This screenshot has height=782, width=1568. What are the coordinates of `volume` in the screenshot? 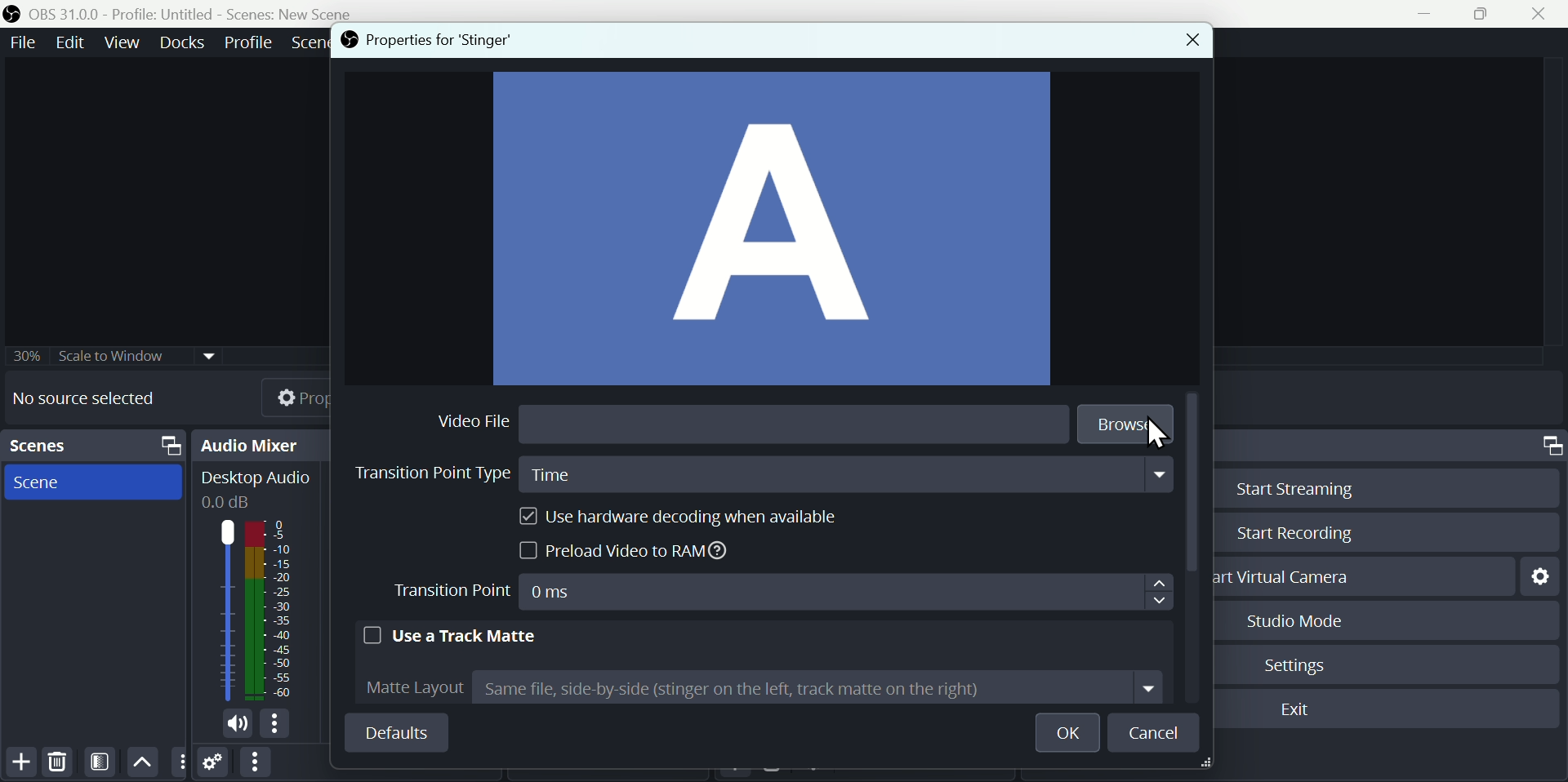 It's located at (233, 725).